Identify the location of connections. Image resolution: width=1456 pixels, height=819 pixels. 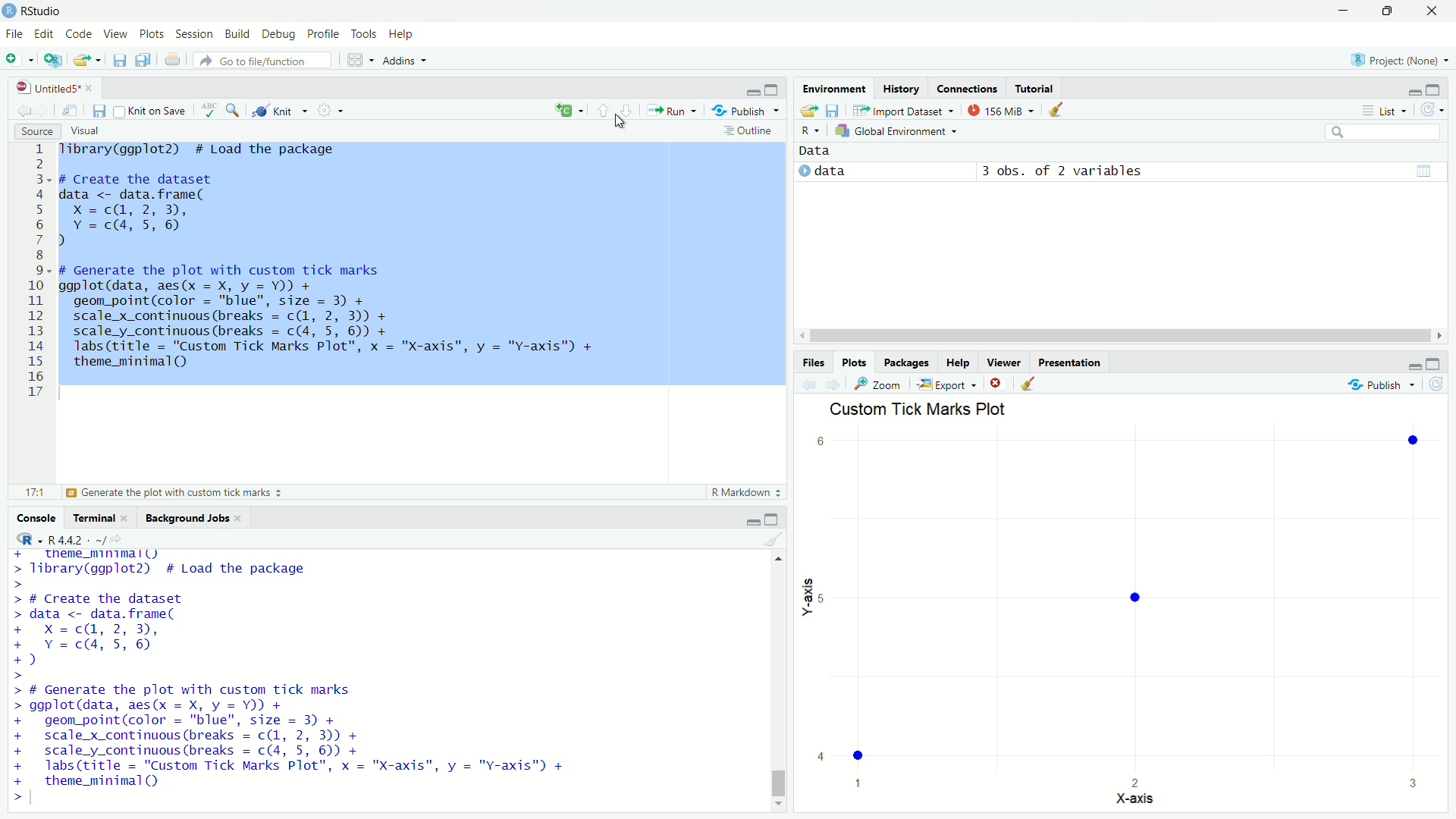
(966, 88).